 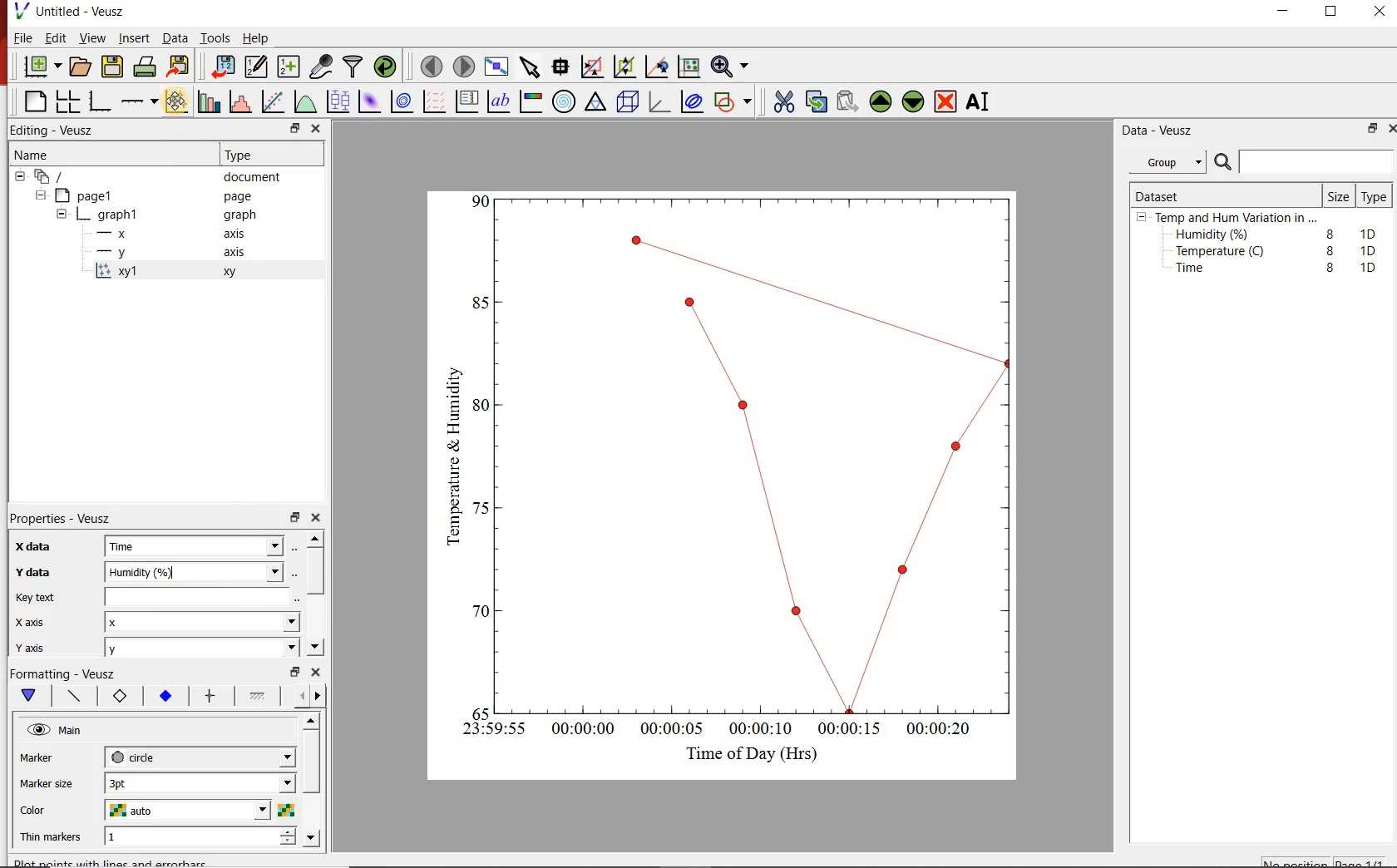 What do you see at coordinates (502, 101) in the screenshot?
I see `text label` at bounding box center [502, 101].